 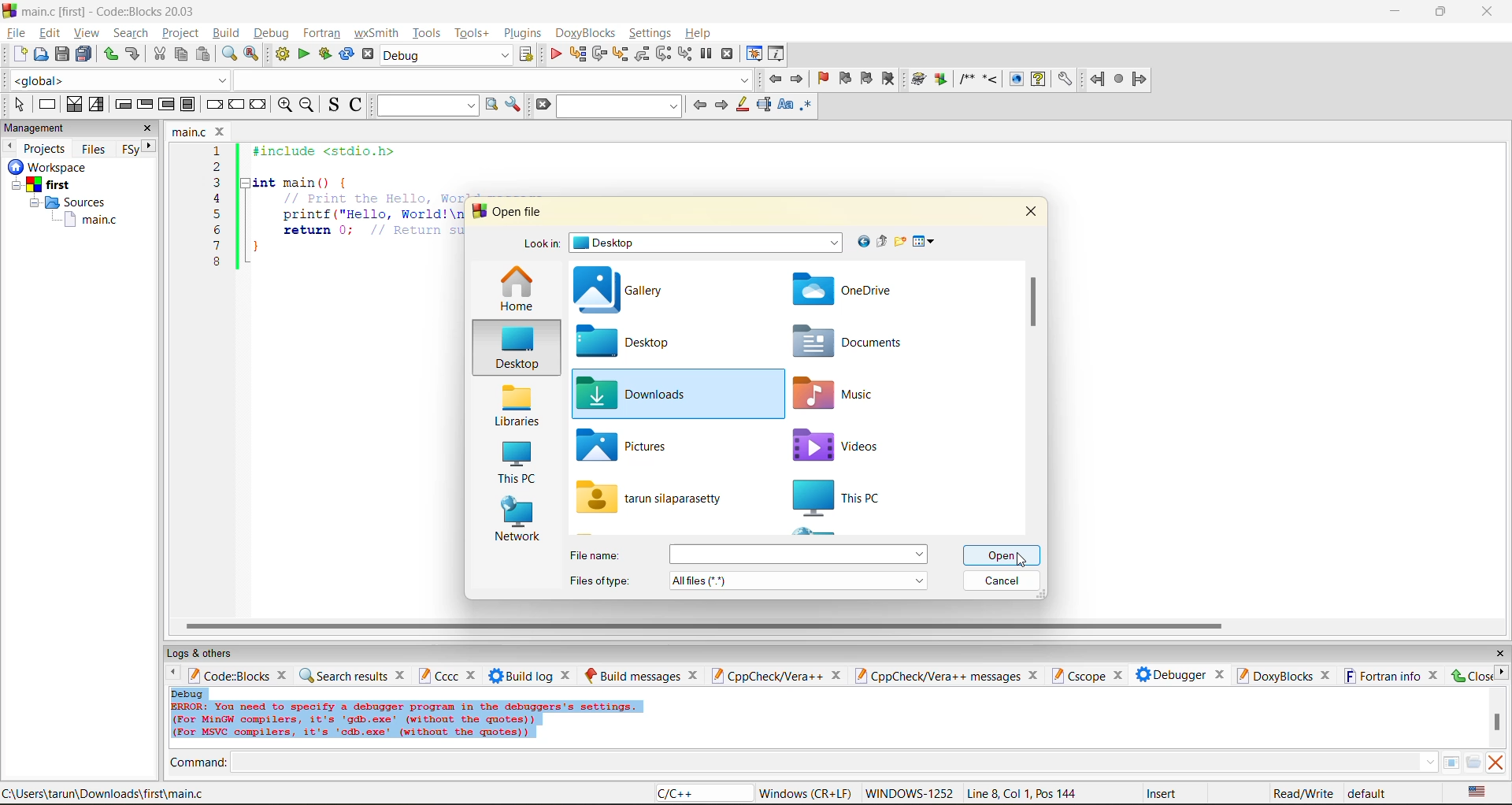 What do you see at coordinates (346, 54) in the screenshot?
I see `rebuild` at bounding box center [346, 54].